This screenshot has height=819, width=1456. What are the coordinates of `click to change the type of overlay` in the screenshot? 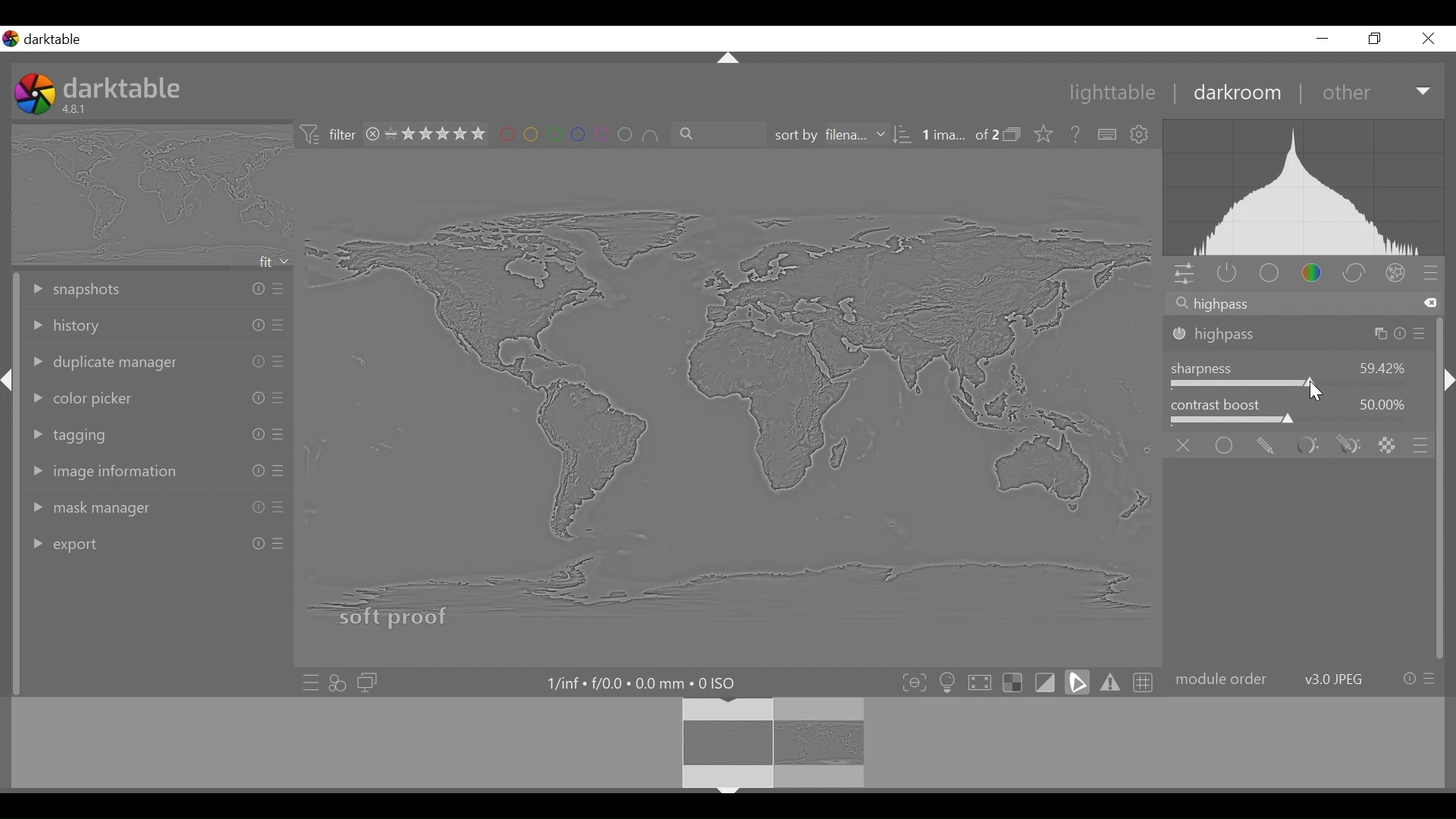 It's located at (1048, 135).